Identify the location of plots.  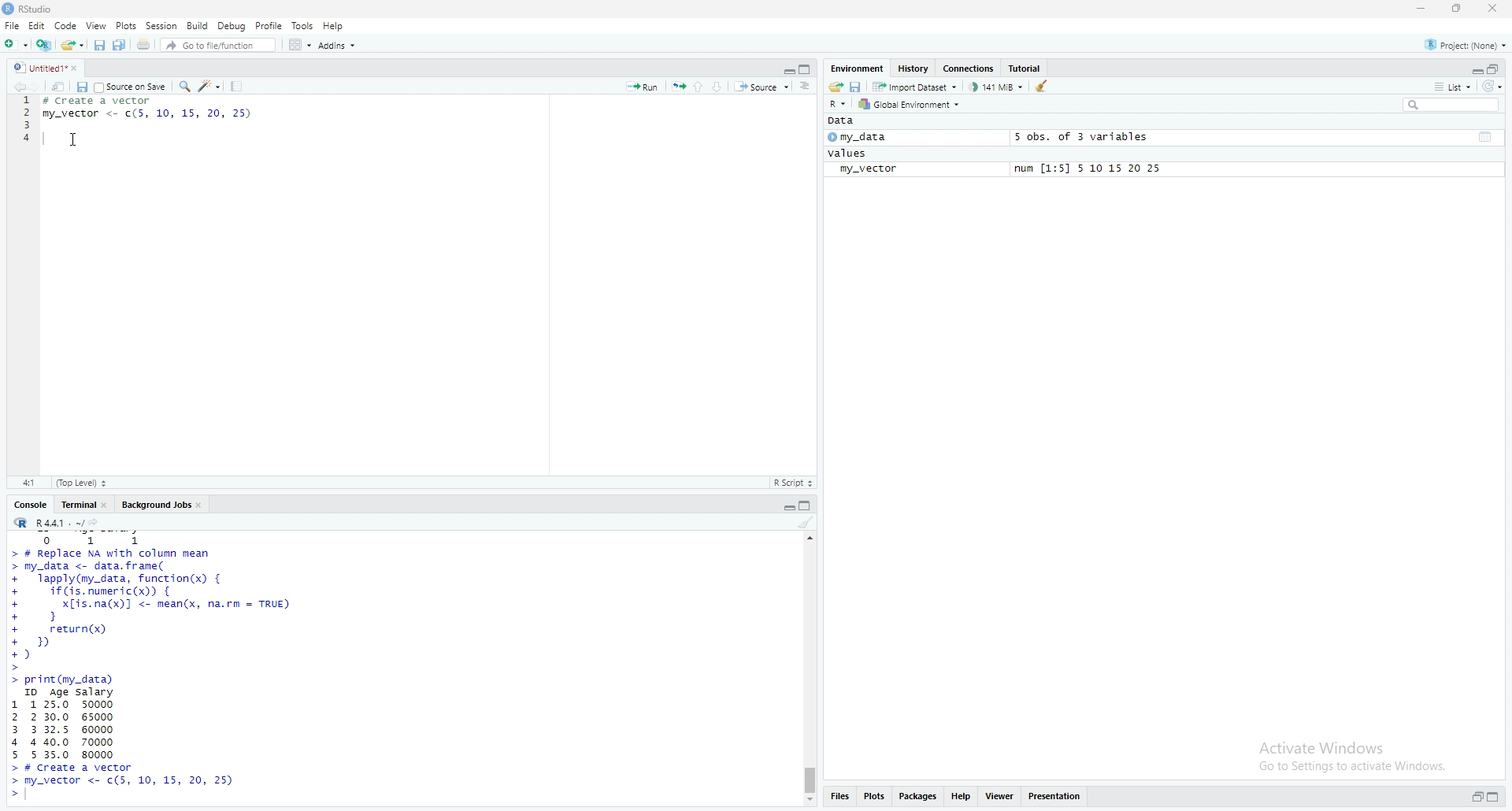
(876, 796).